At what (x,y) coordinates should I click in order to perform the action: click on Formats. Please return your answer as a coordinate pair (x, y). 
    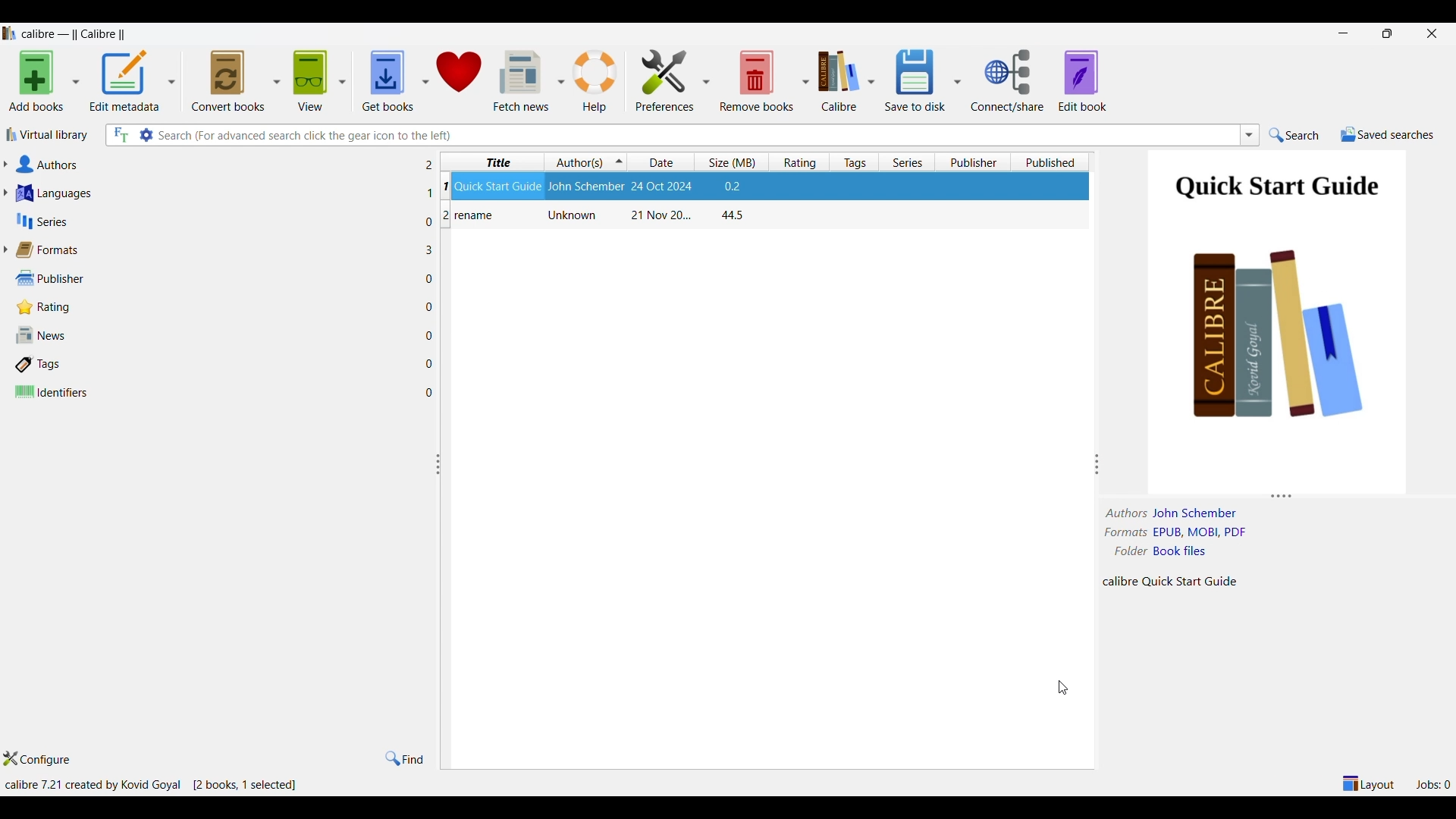
    Looking at the image, I should click on (214, 250).